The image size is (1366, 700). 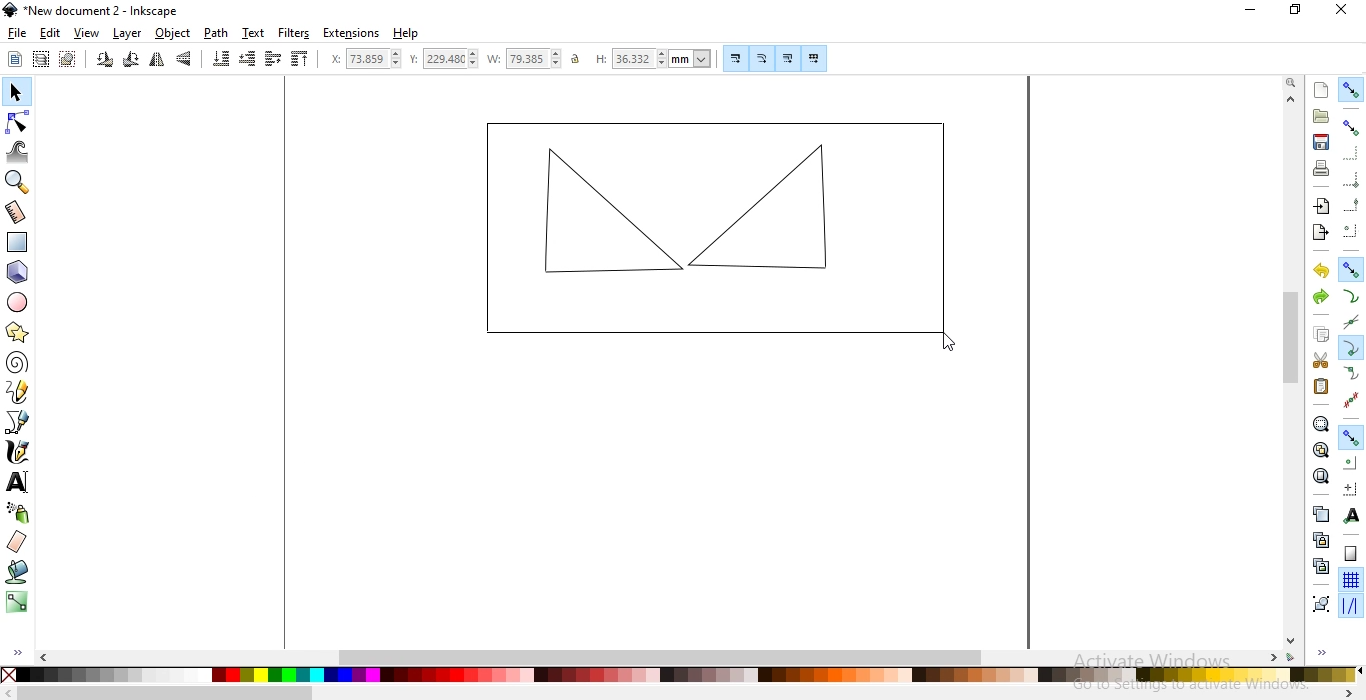 What do you see at coordinates (1350, 554) in the screenshot?
I see `snap to page border` at bounding box center [1350, 554].